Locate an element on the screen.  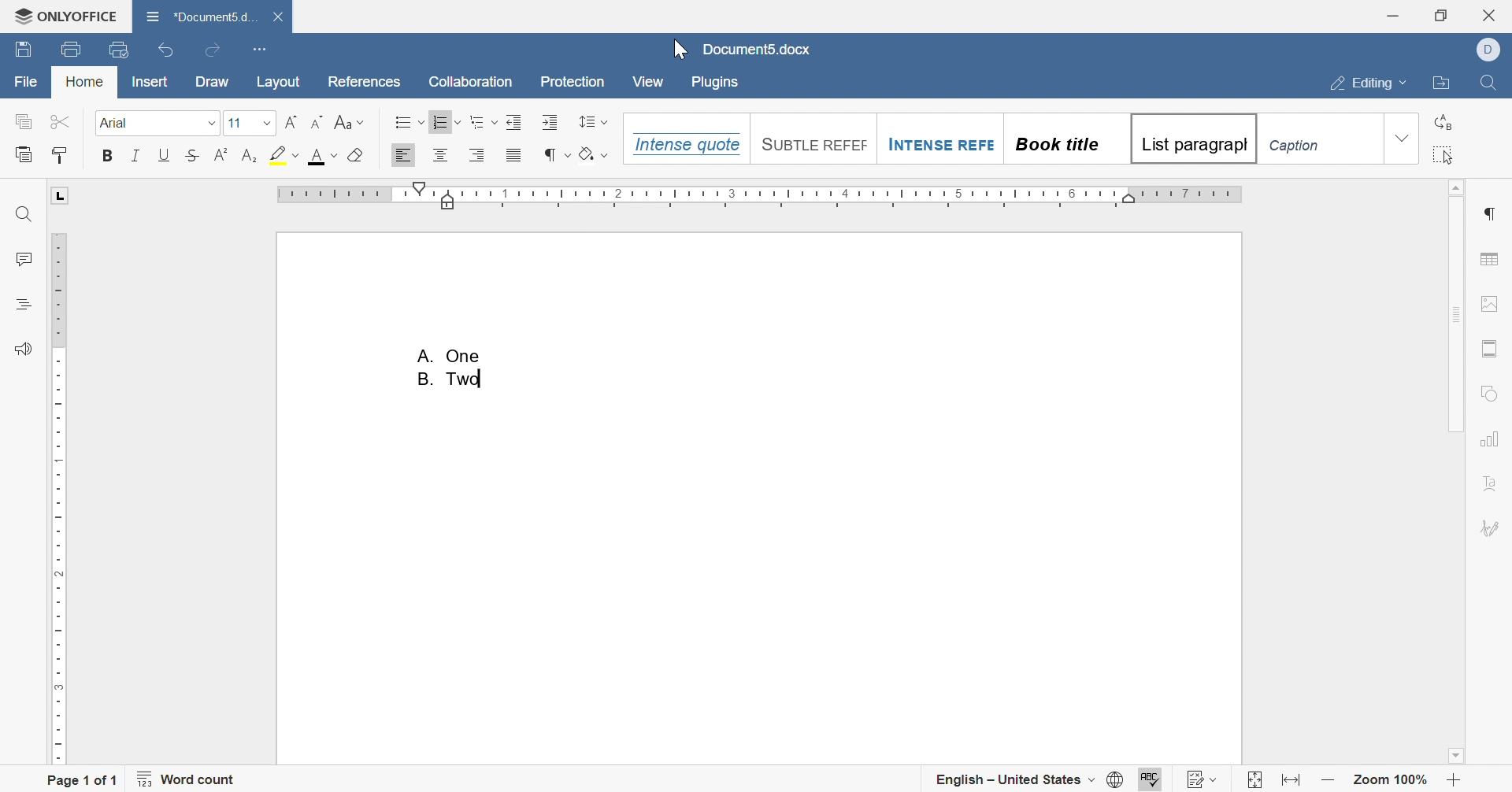
quick print is located at coordinates (120, 49).